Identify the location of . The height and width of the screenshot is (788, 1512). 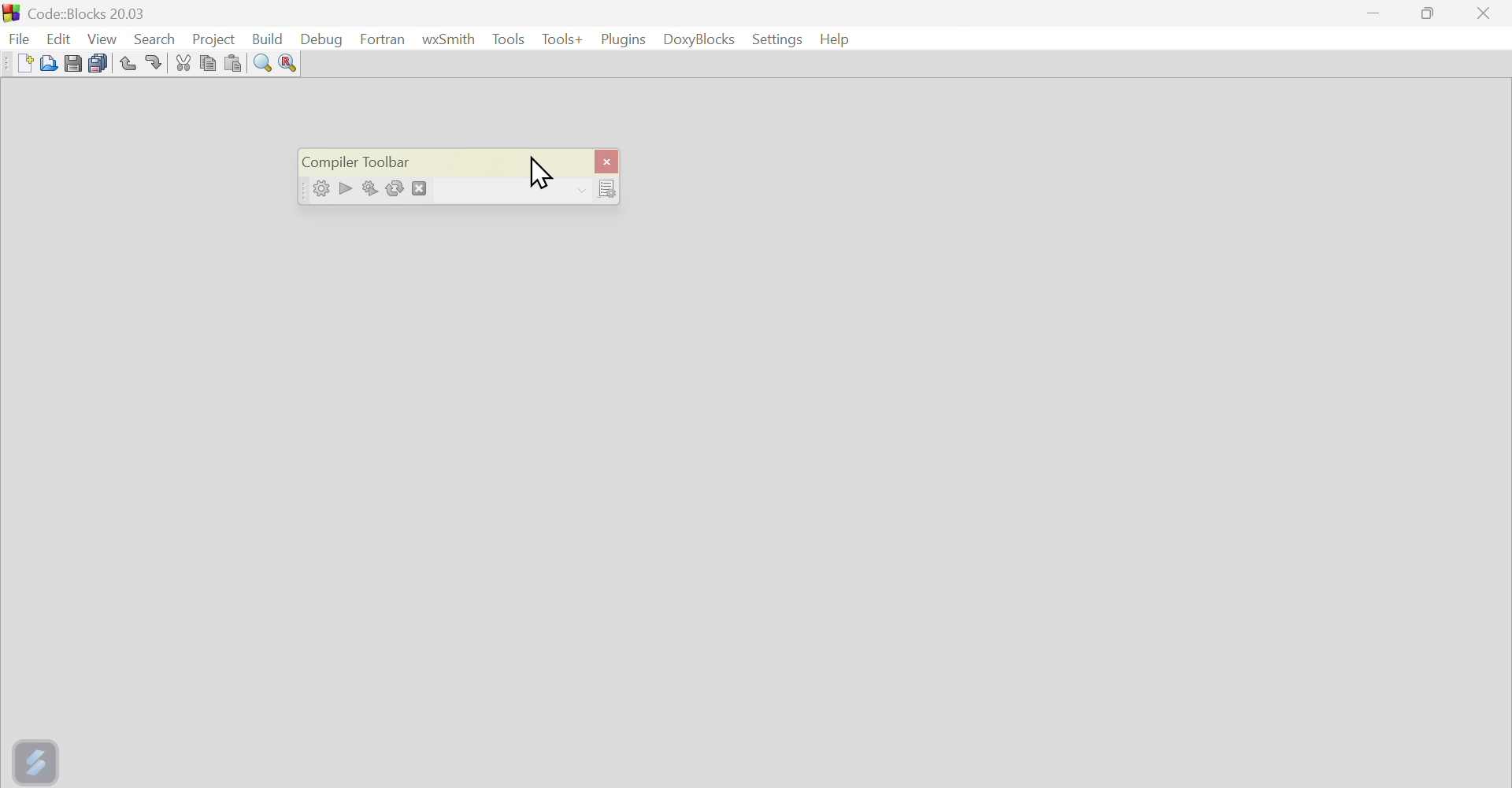
(236, 62).